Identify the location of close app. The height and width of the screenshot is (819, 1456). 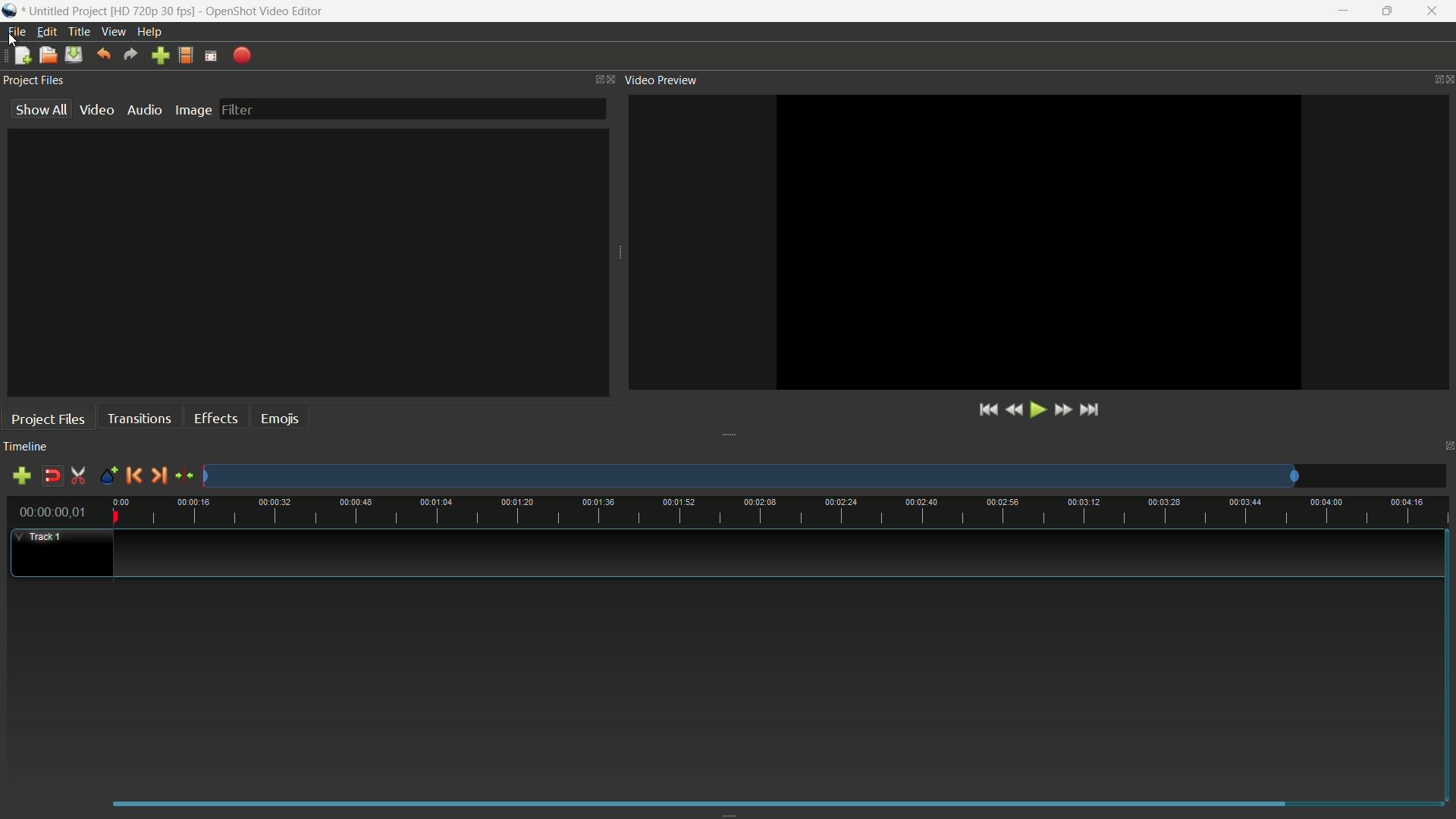
(1434, 11).